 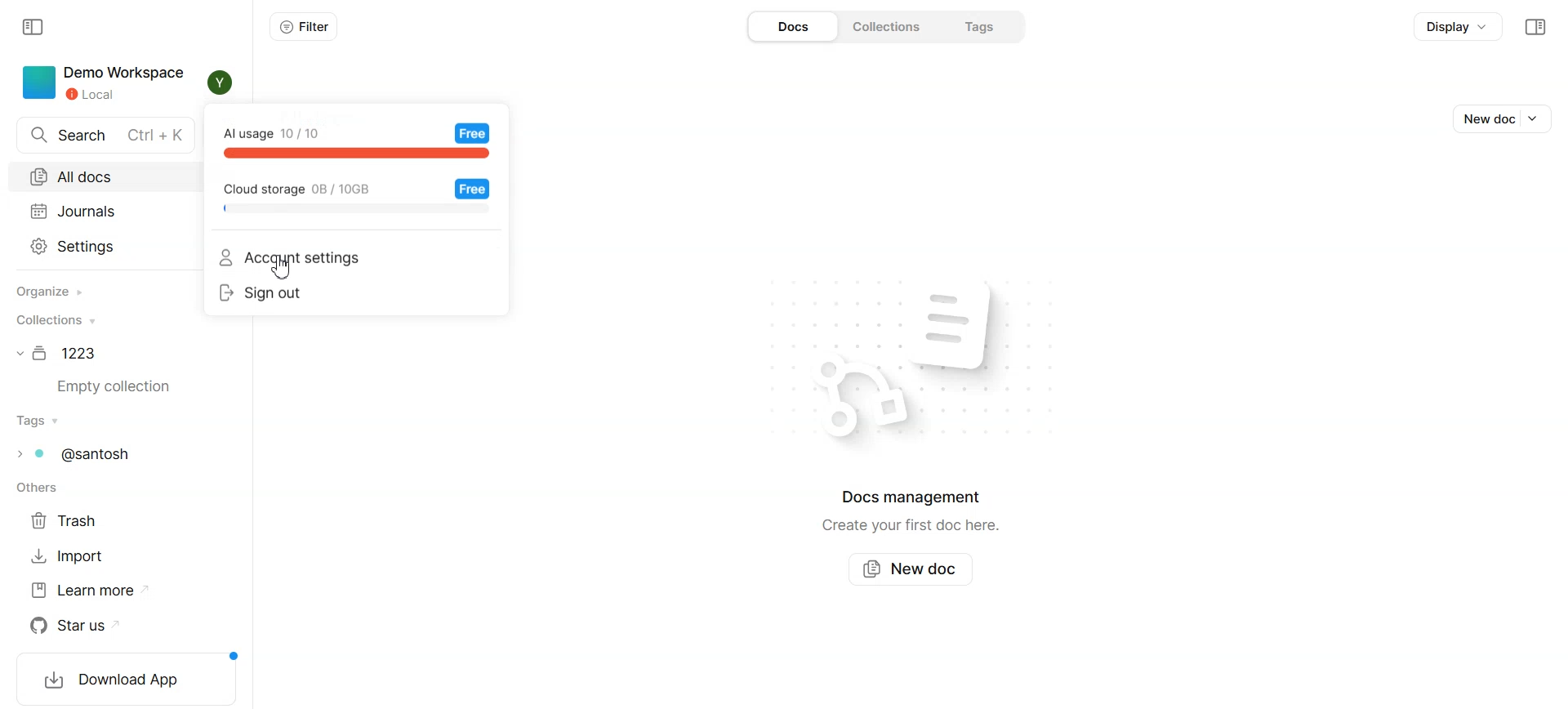 I want to click on New doc, so click(x=1484, y=118).